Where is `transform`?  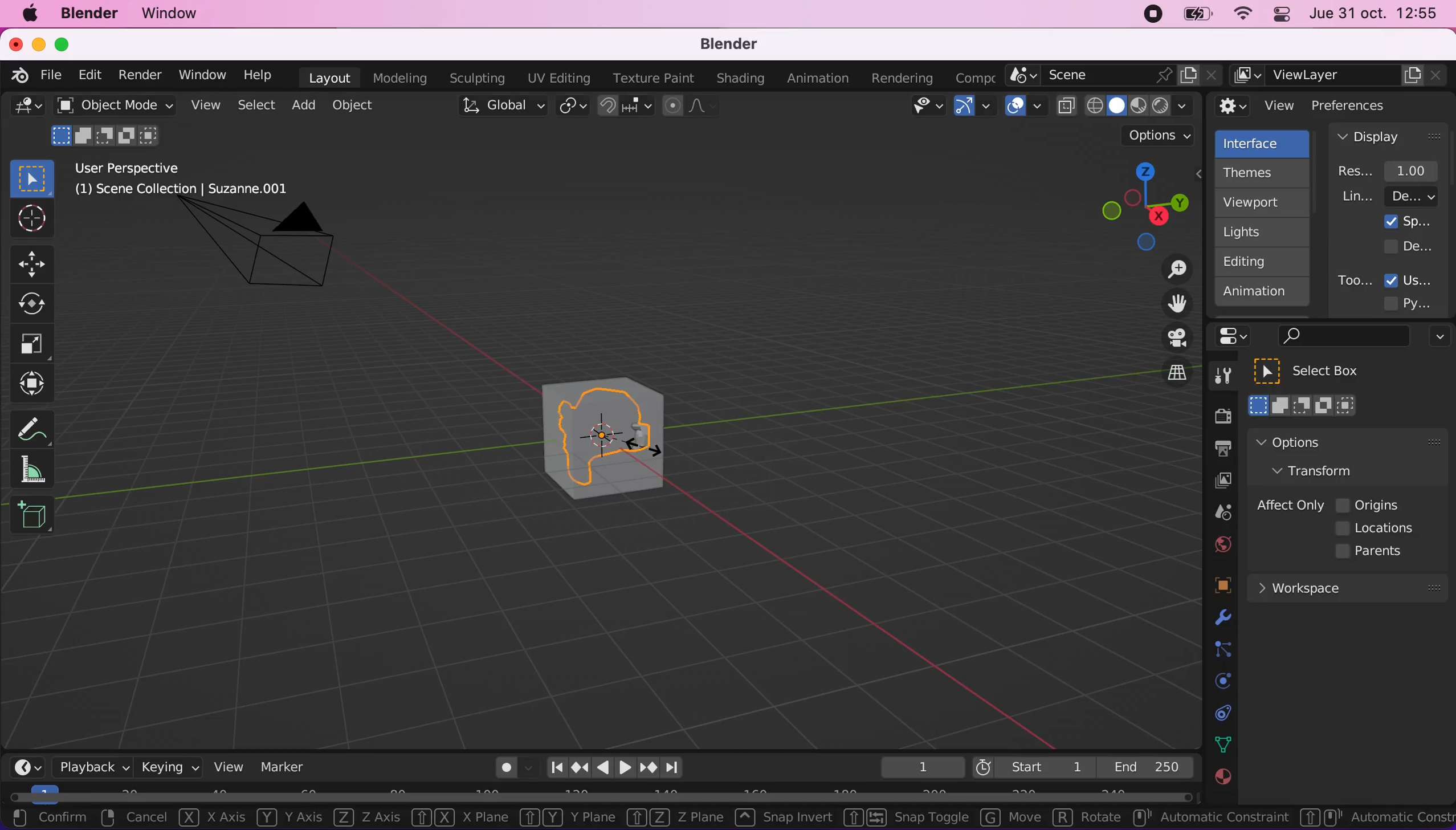 transform is located at coordinates (1324, 470).